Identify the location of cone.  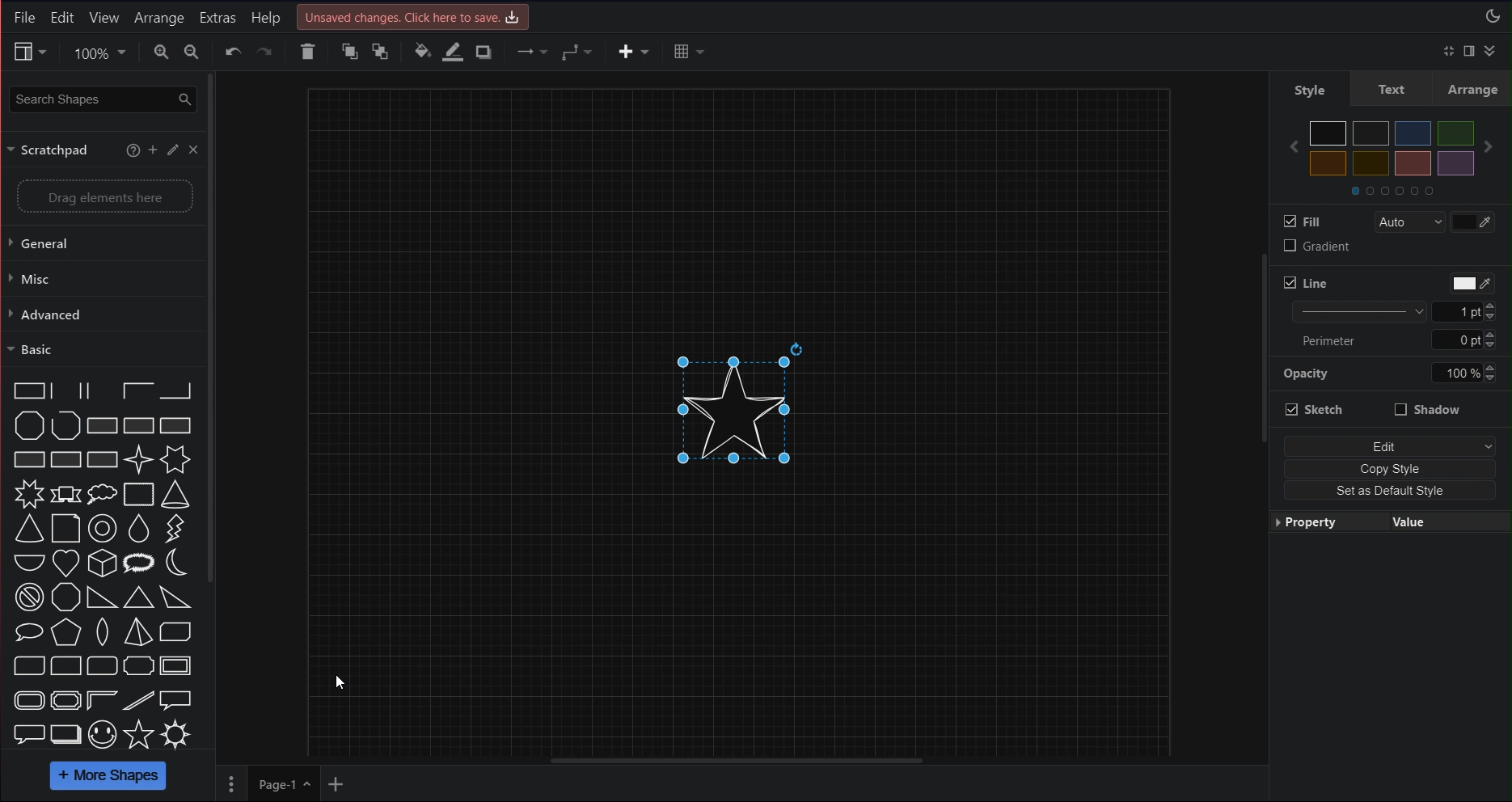
(176, 495).